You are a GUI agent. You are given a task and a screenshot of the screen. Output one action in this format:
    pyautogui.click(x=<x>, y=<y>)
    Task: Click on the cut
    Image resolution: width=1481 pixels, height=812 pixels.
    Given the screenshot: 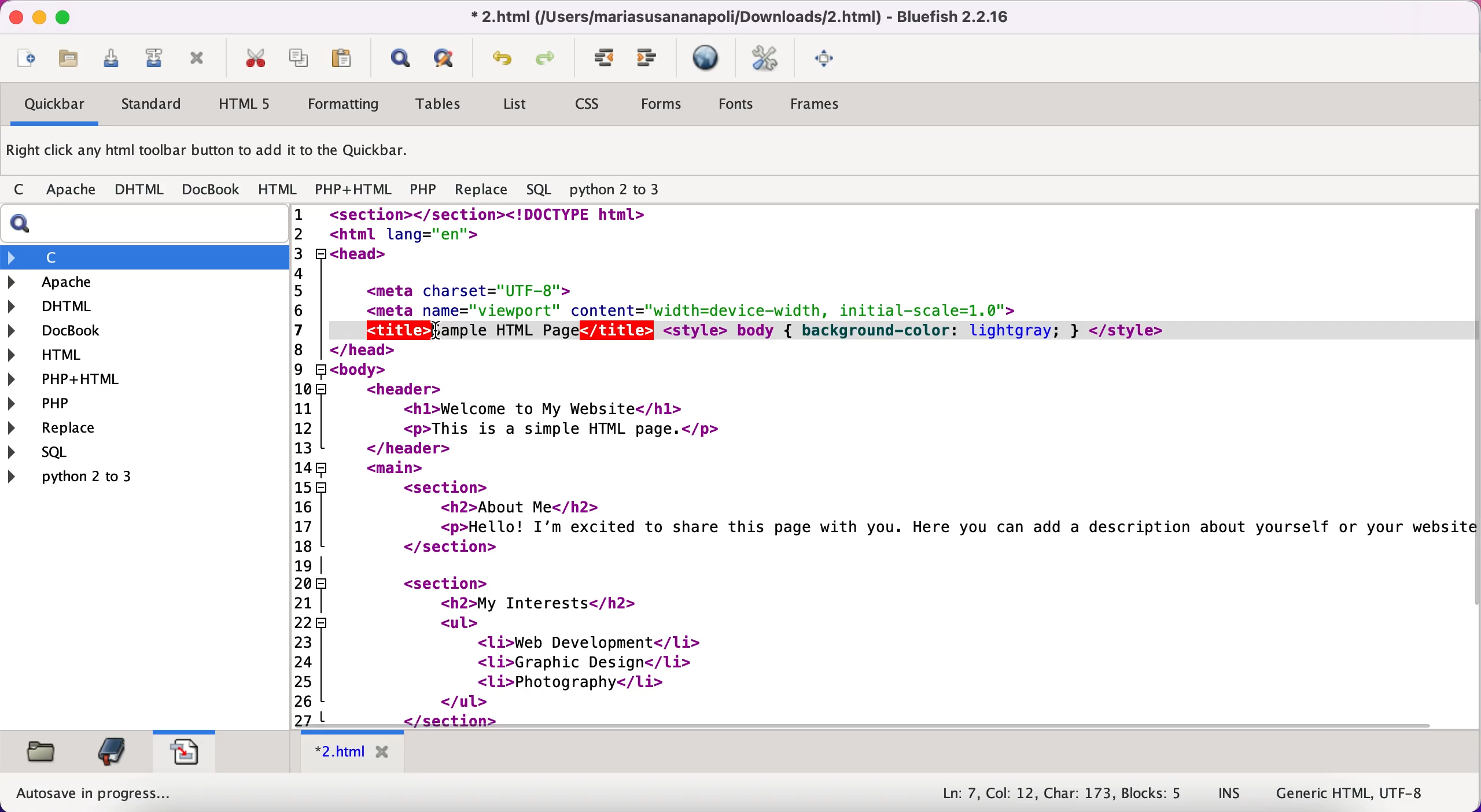 What is the action you would take?
    pyautogui.click(x=255, y=58)
    